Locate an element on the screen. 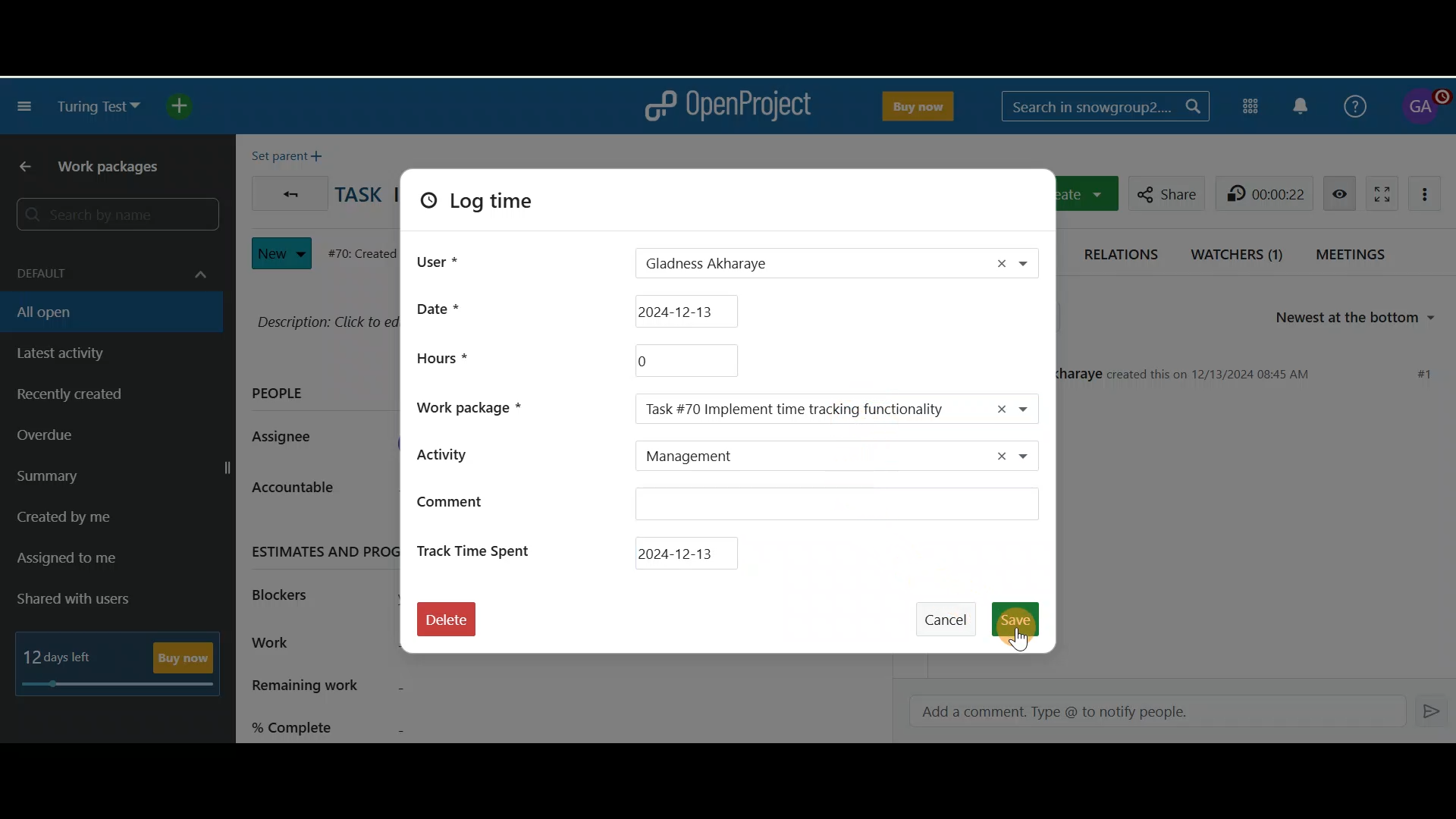 The height and width of the screenshot is (819, 1456). Default is located at coordinates (108, 265).